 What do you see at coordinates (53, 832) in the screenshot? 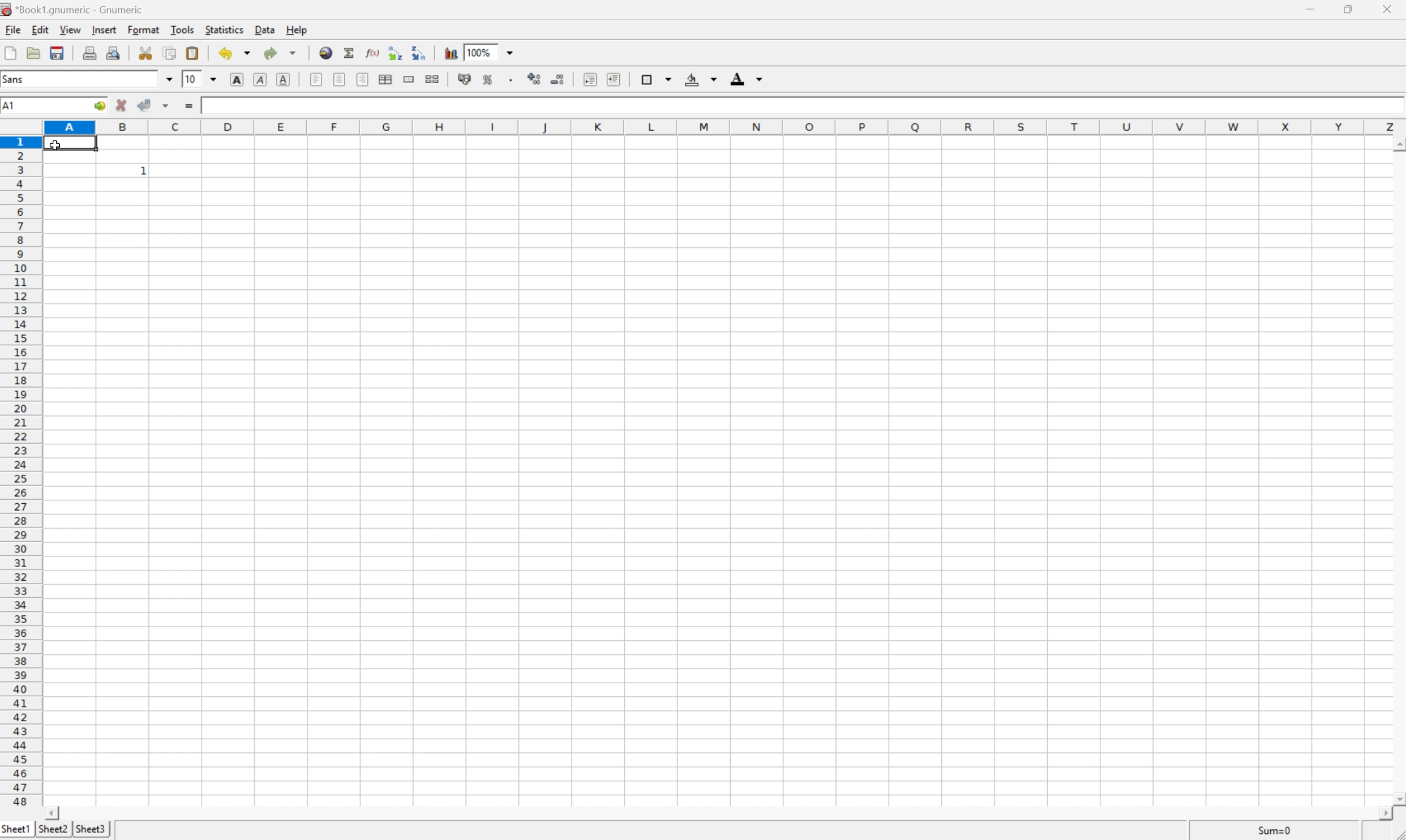
I see `sheet2` at bounding box center [53, 832].